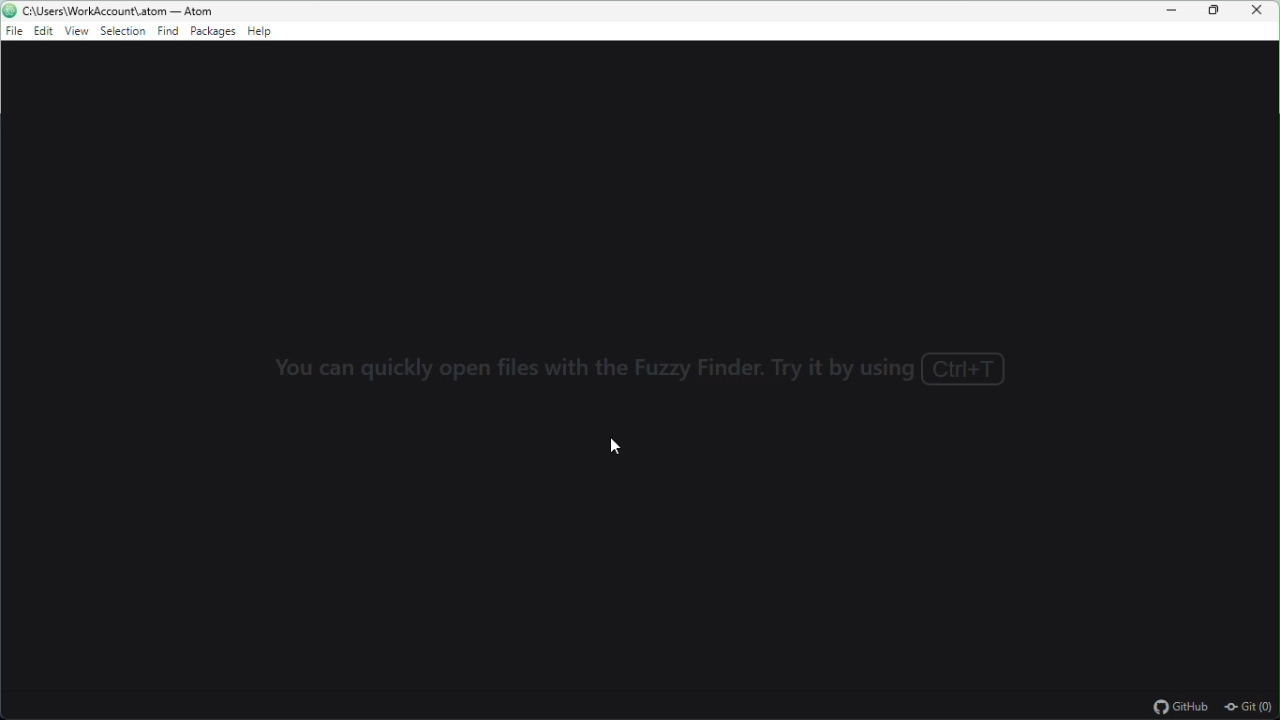 This screenshot has height=720, width=1280. I want to click on Minimize, so click(1174, 11).